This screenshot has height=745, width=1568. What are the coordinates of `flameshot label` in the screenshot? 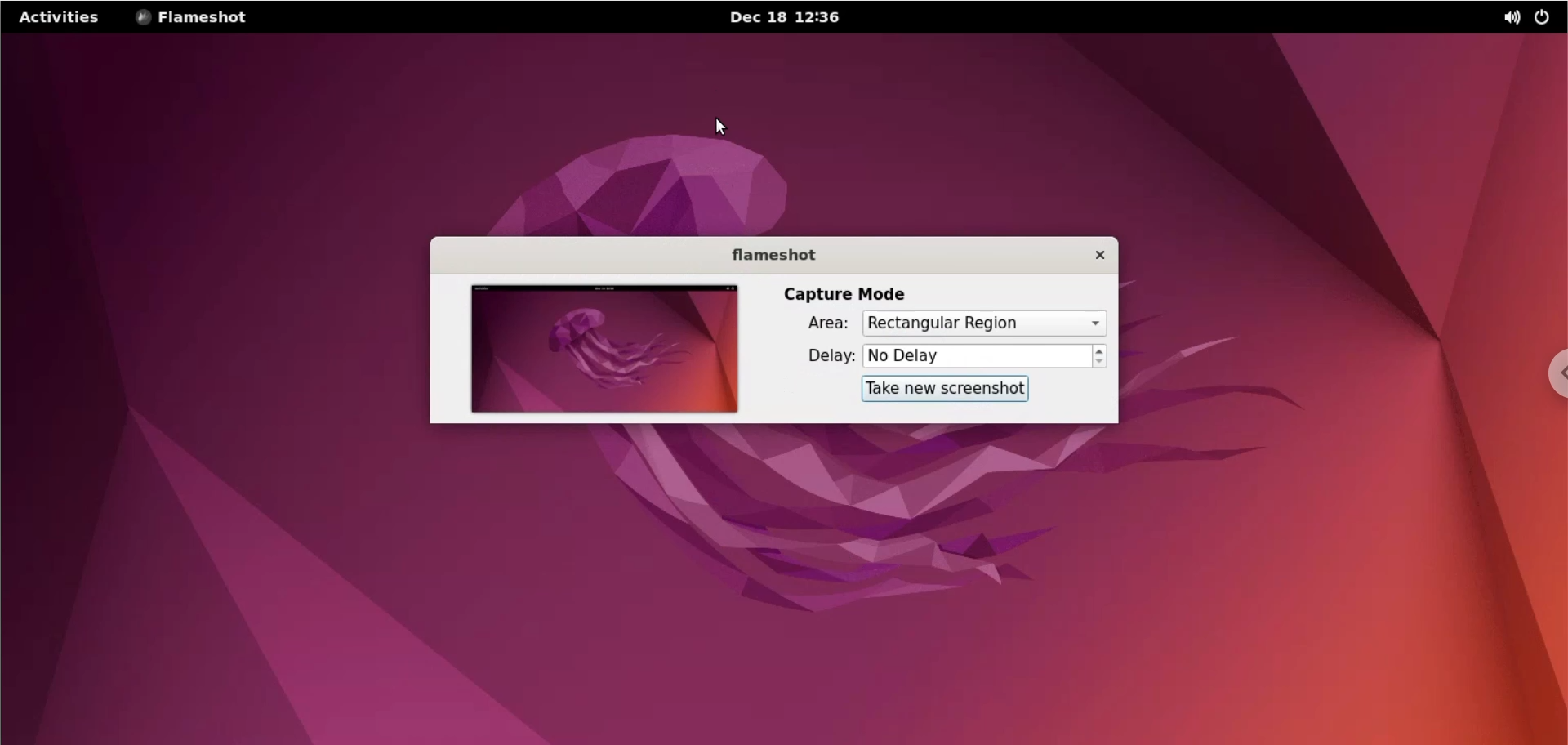 It's located at (777, 255).